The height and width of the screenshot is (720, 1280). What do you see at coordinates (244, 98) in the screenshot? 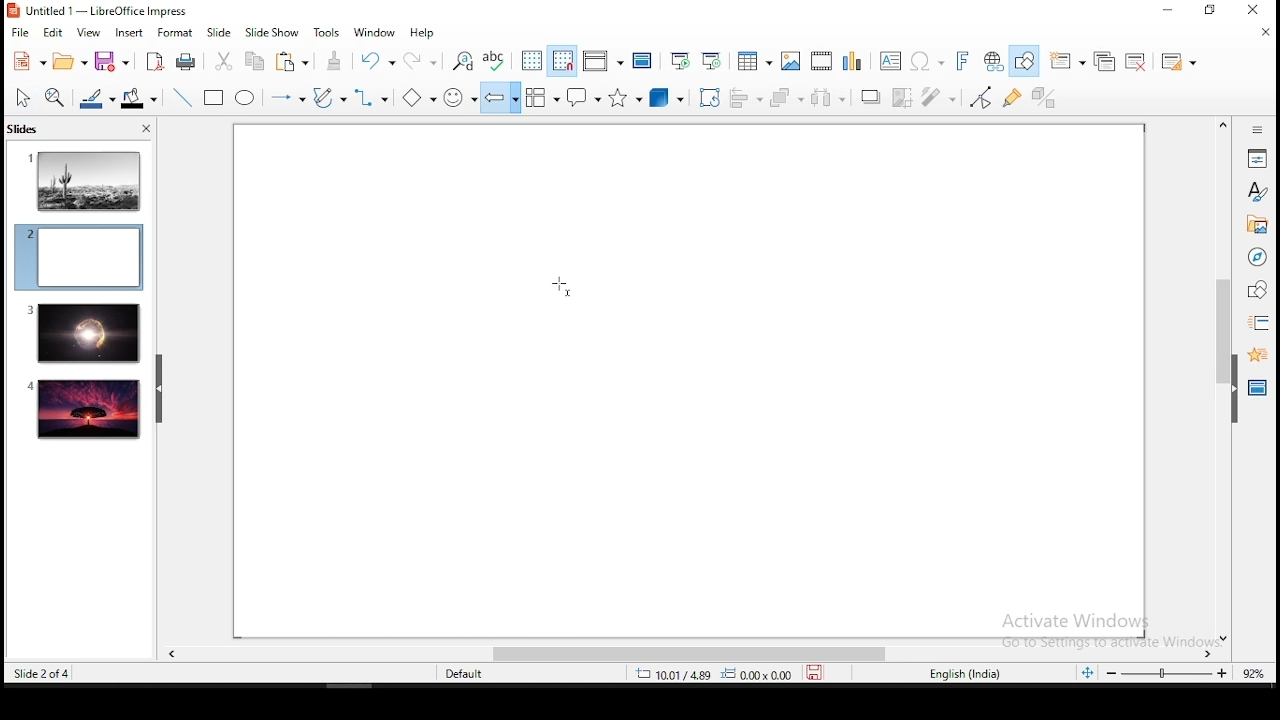
I see `ellipse` at bounding box center [244, 98].